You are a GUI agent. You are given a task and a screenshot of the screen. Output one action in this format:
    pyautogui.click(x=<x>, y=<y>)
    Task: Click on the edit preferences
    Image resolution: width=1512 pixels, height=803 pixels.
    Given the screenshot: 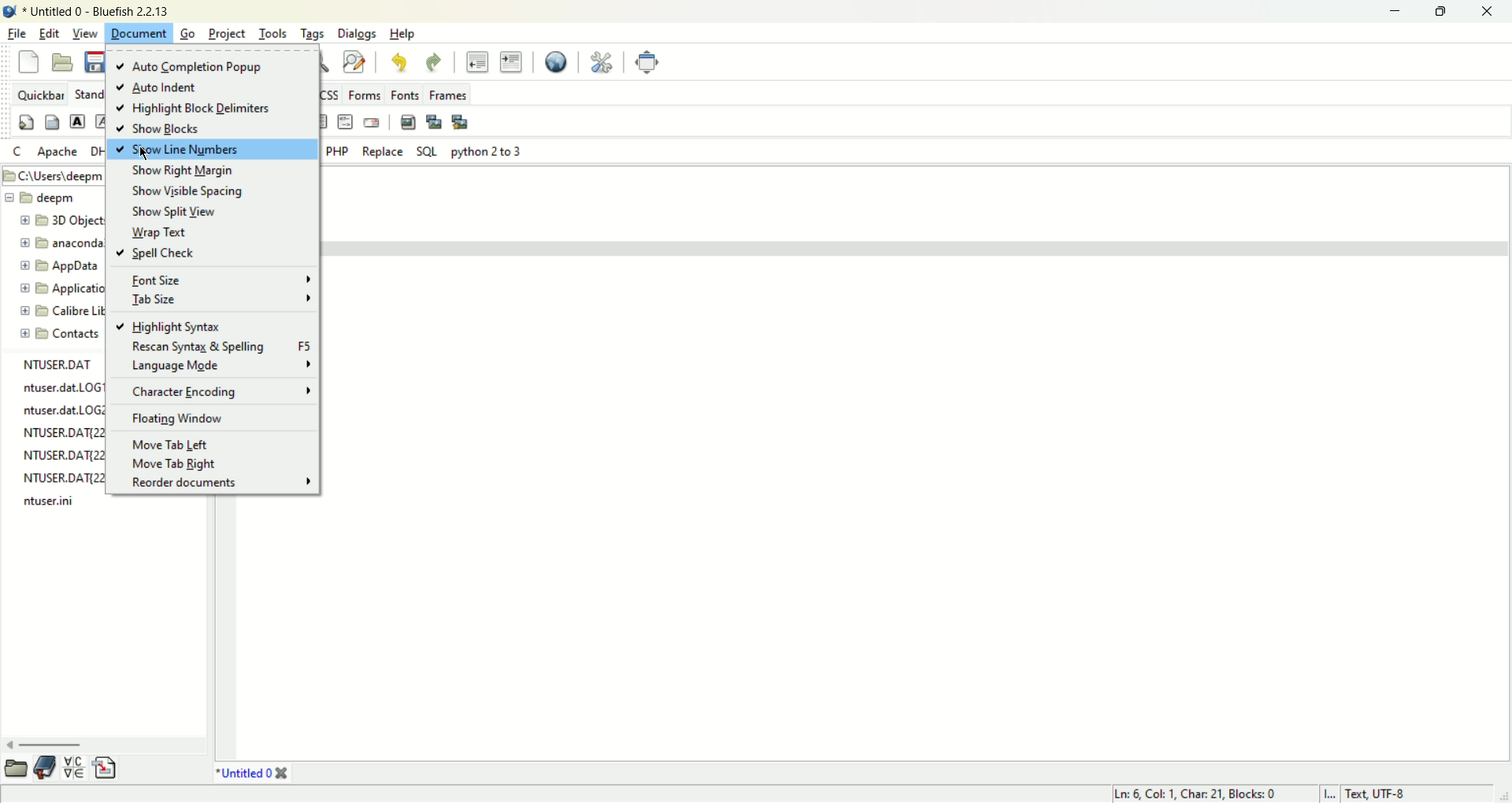 What is the action you would take?
    pyautogui.click(x=598, y=61)
    